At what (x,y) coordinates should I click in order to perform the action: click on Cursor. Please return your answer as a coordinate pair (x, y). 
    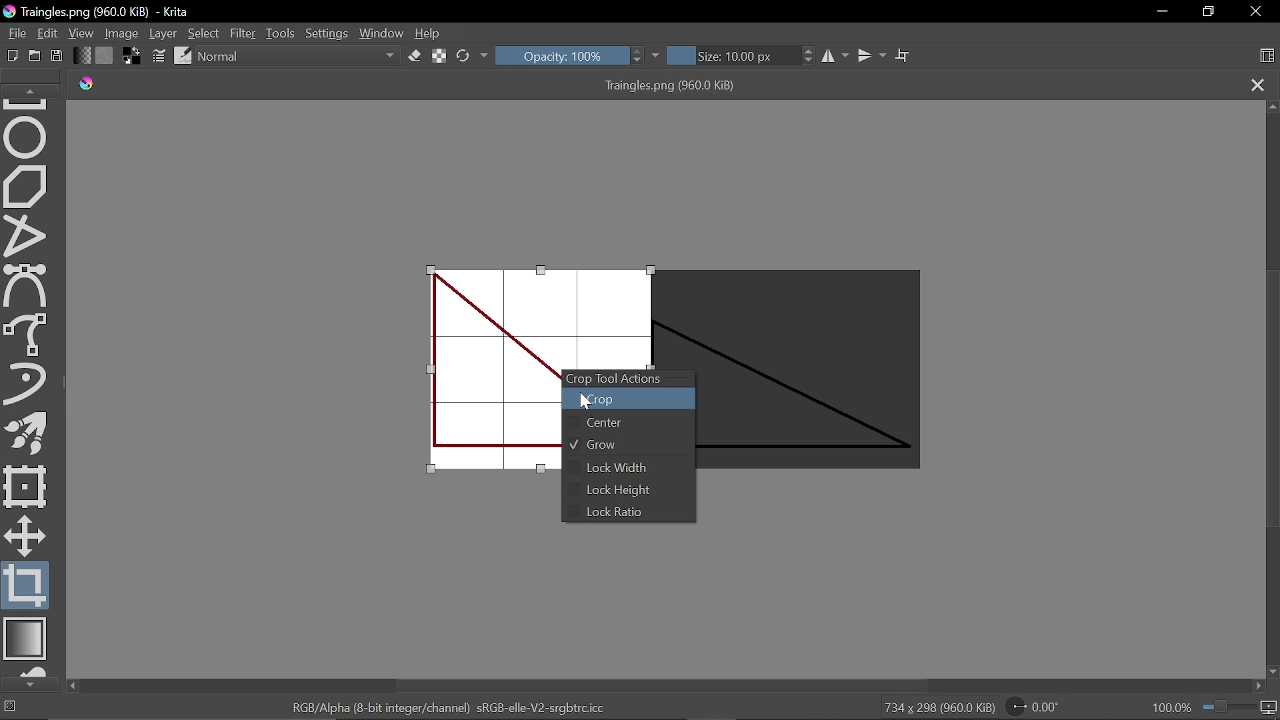
    Looking at the image, I should click on (586, 408).